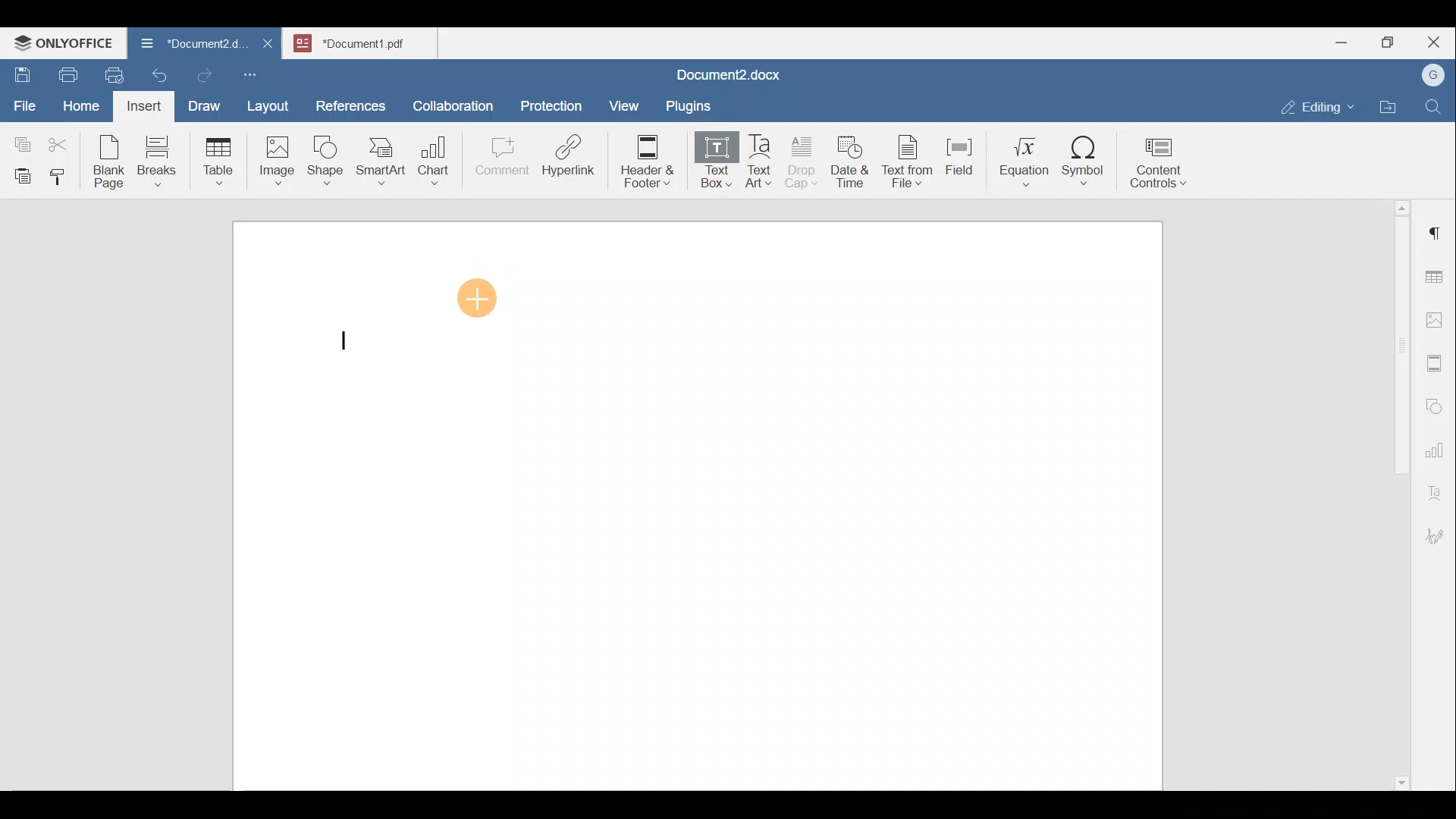 The width and height of the screenshot is (1456, 819). What do you see at coordinates (1436, 227) in the screenshot?
I see `Paragraph settings` at bounding box center [1436, 227].